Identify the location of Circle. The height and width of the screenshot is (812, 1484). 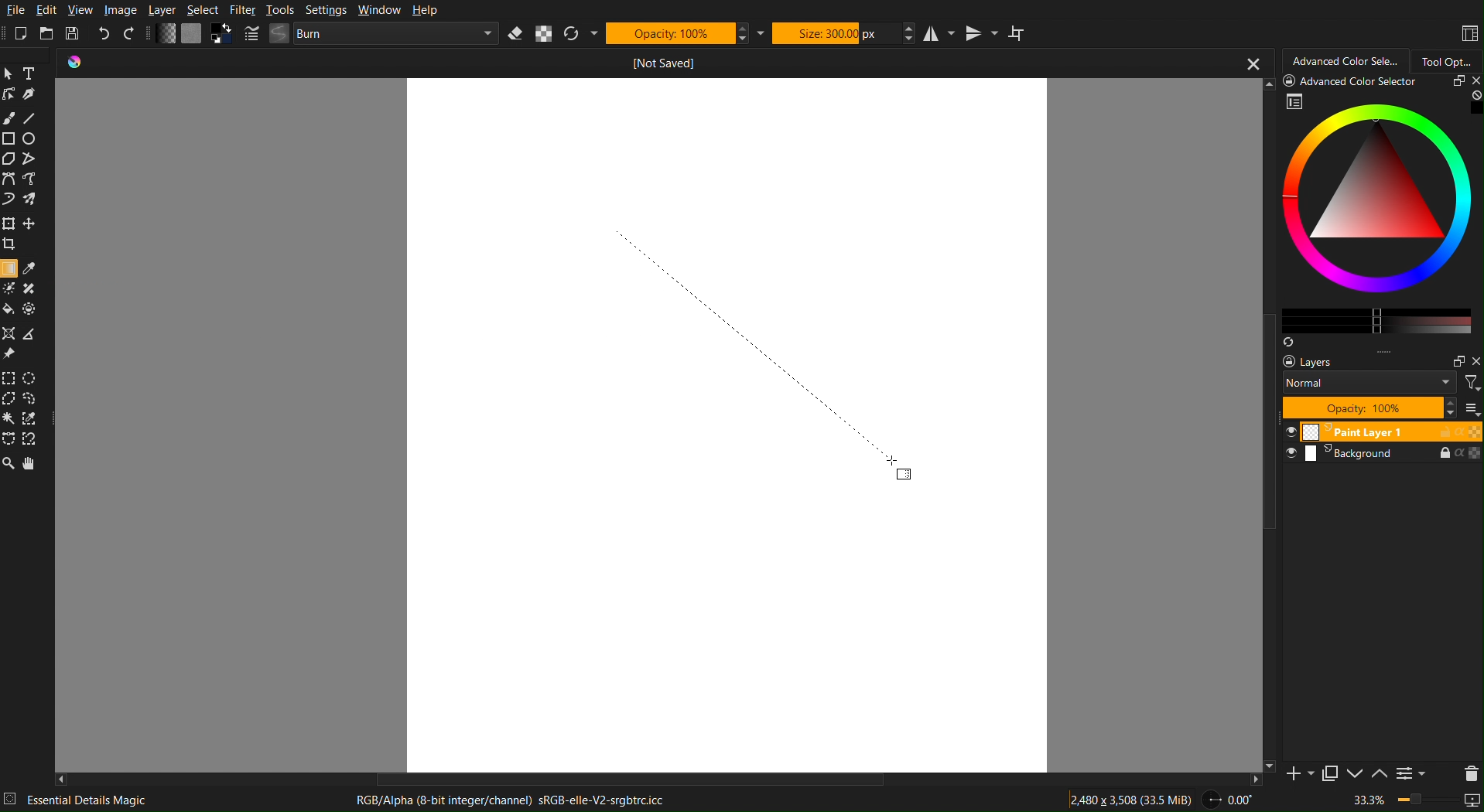
(31, 138).